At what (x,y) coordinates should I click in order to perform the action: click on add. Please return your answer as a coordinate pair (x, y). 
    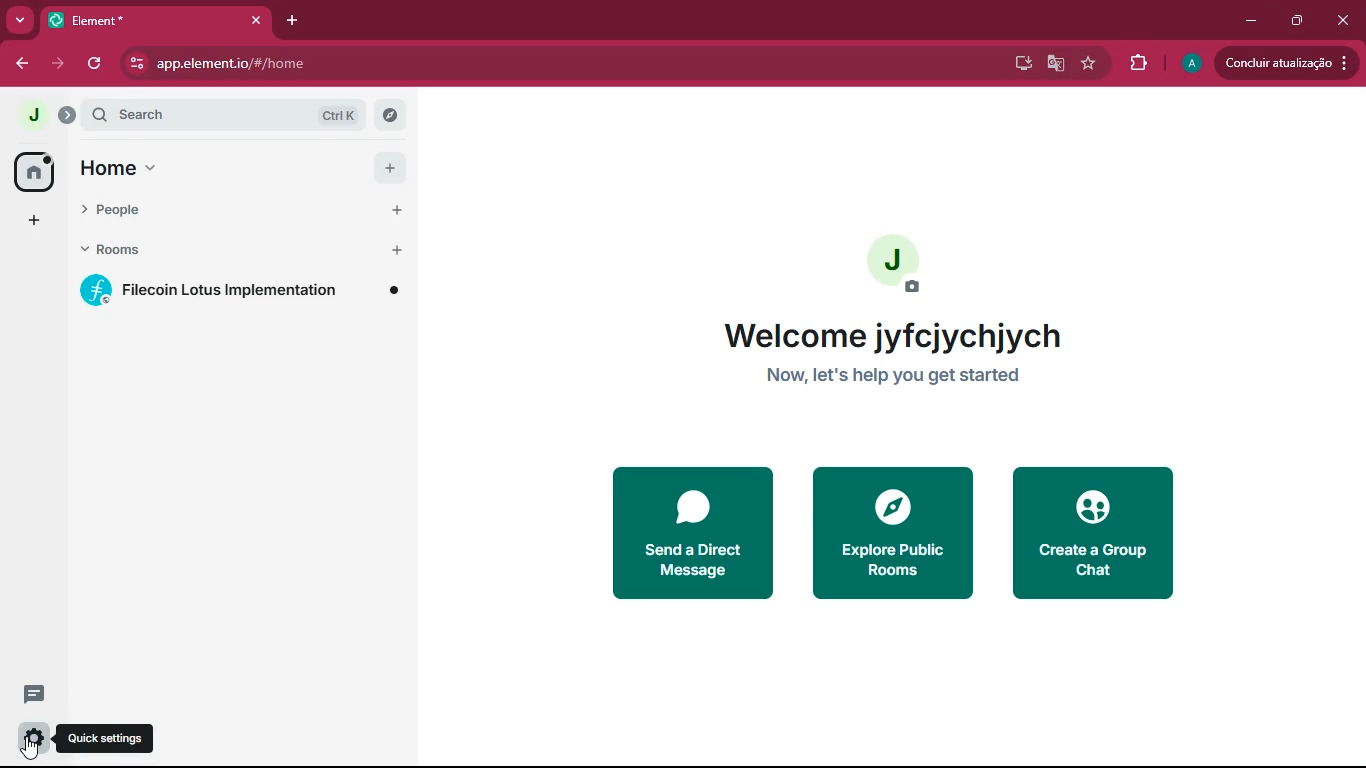
    Looking at the image, I should click on (32, 222).